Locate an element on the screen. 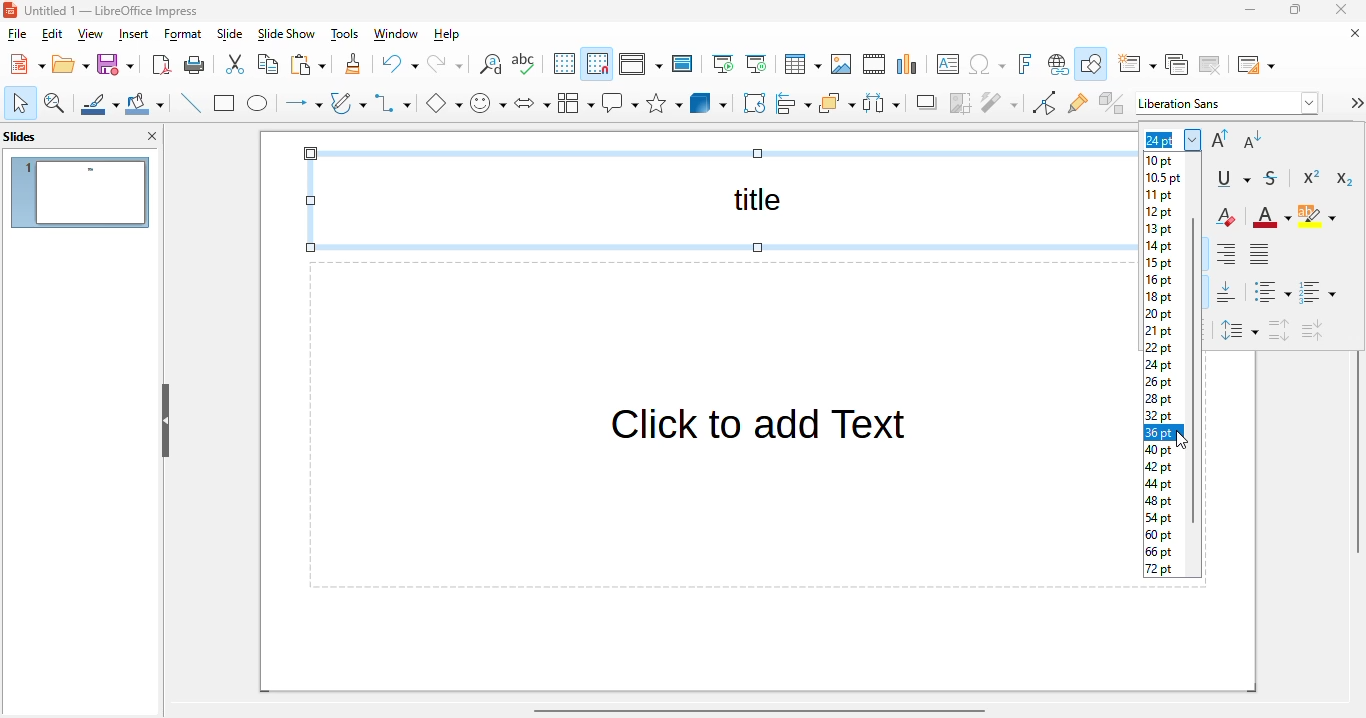 The image size is (1366, 718). 10.5 pt is located at coordinates (1165, 178).